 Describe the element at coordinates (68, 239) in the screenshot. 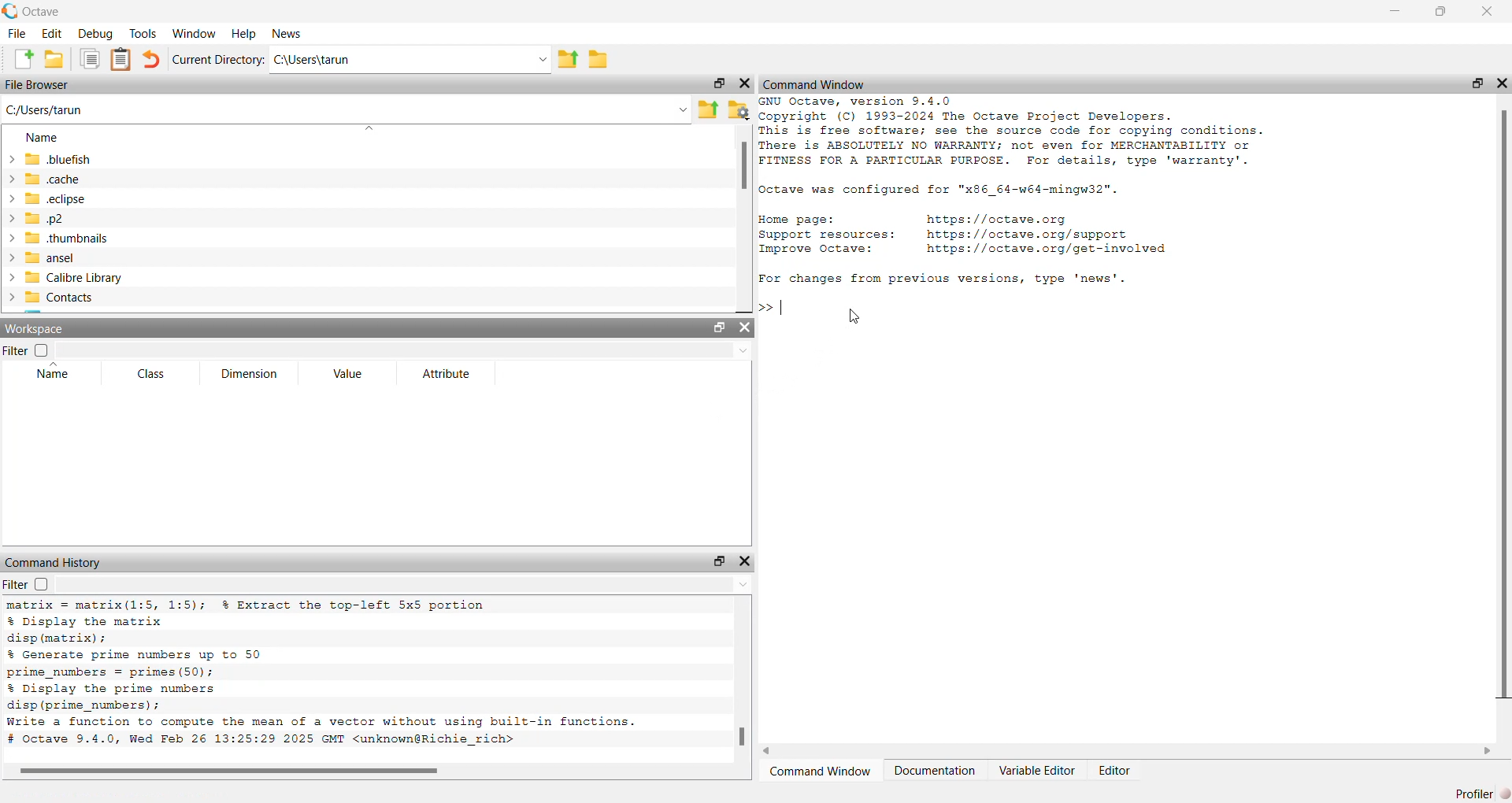

I see `.thumbnails` at that location.